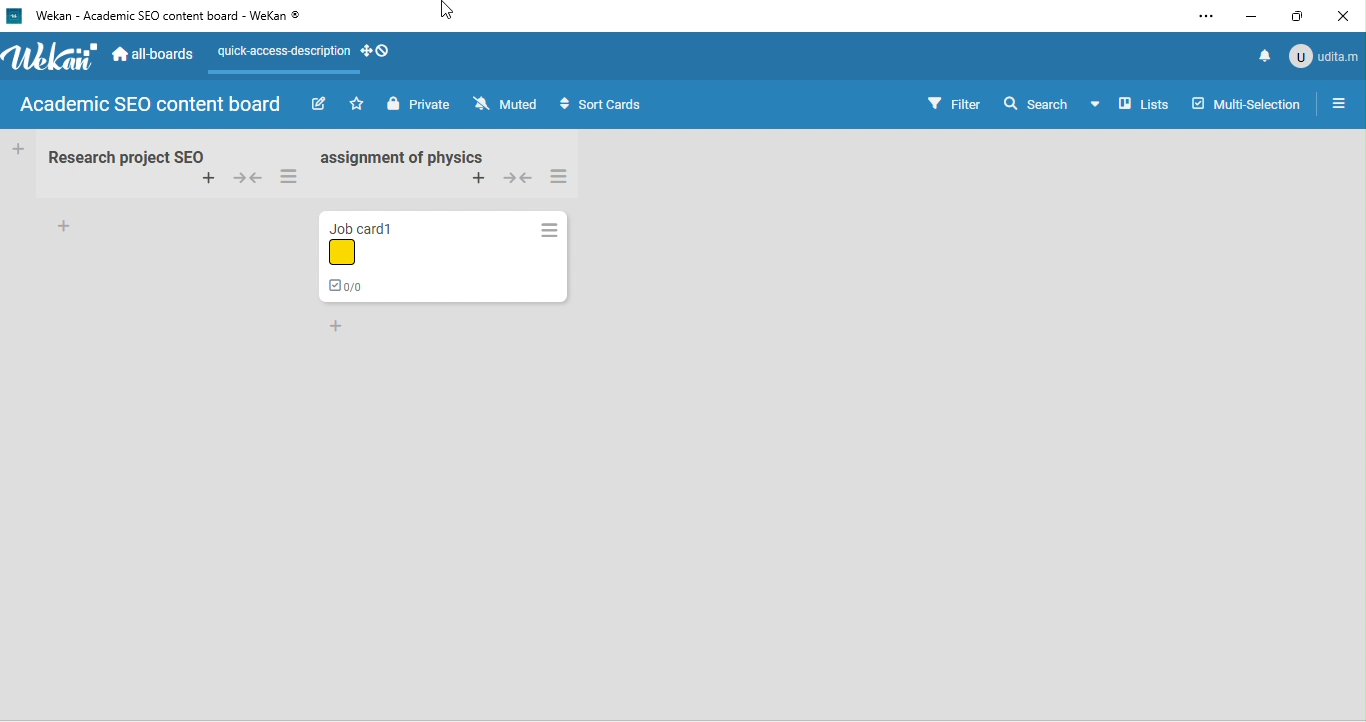 This screenshot has width=1366, height=722. I want to click on List Action, so click(549, 229).